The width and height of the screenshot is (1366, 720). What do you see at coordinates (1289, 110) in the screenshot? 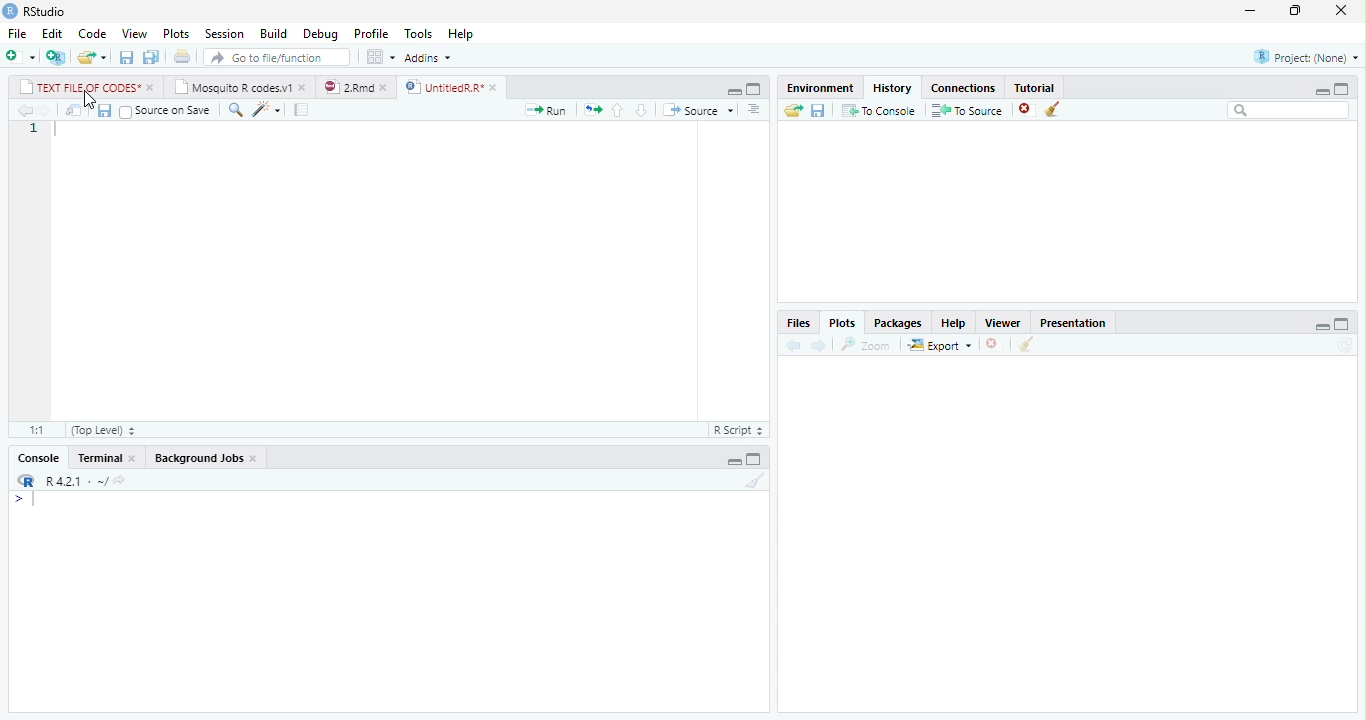
I see `search` at bounding box center [1289, 110].